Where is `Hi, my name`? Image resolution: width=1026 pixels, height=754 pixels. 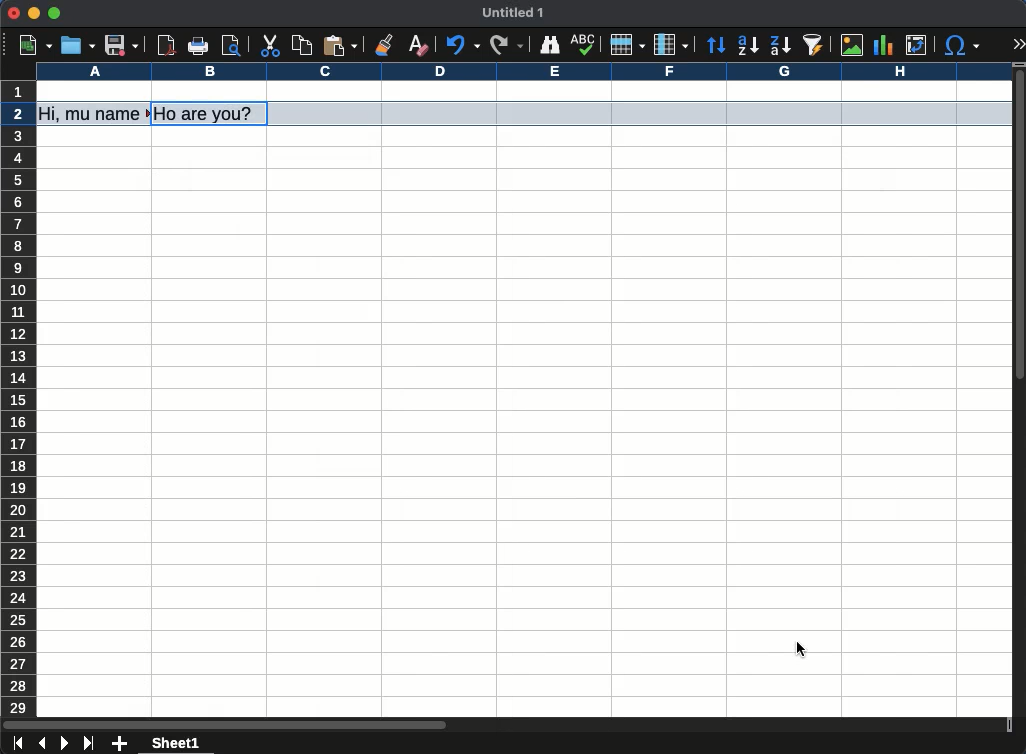 Hi, my name is located at coordinates (94, 114).